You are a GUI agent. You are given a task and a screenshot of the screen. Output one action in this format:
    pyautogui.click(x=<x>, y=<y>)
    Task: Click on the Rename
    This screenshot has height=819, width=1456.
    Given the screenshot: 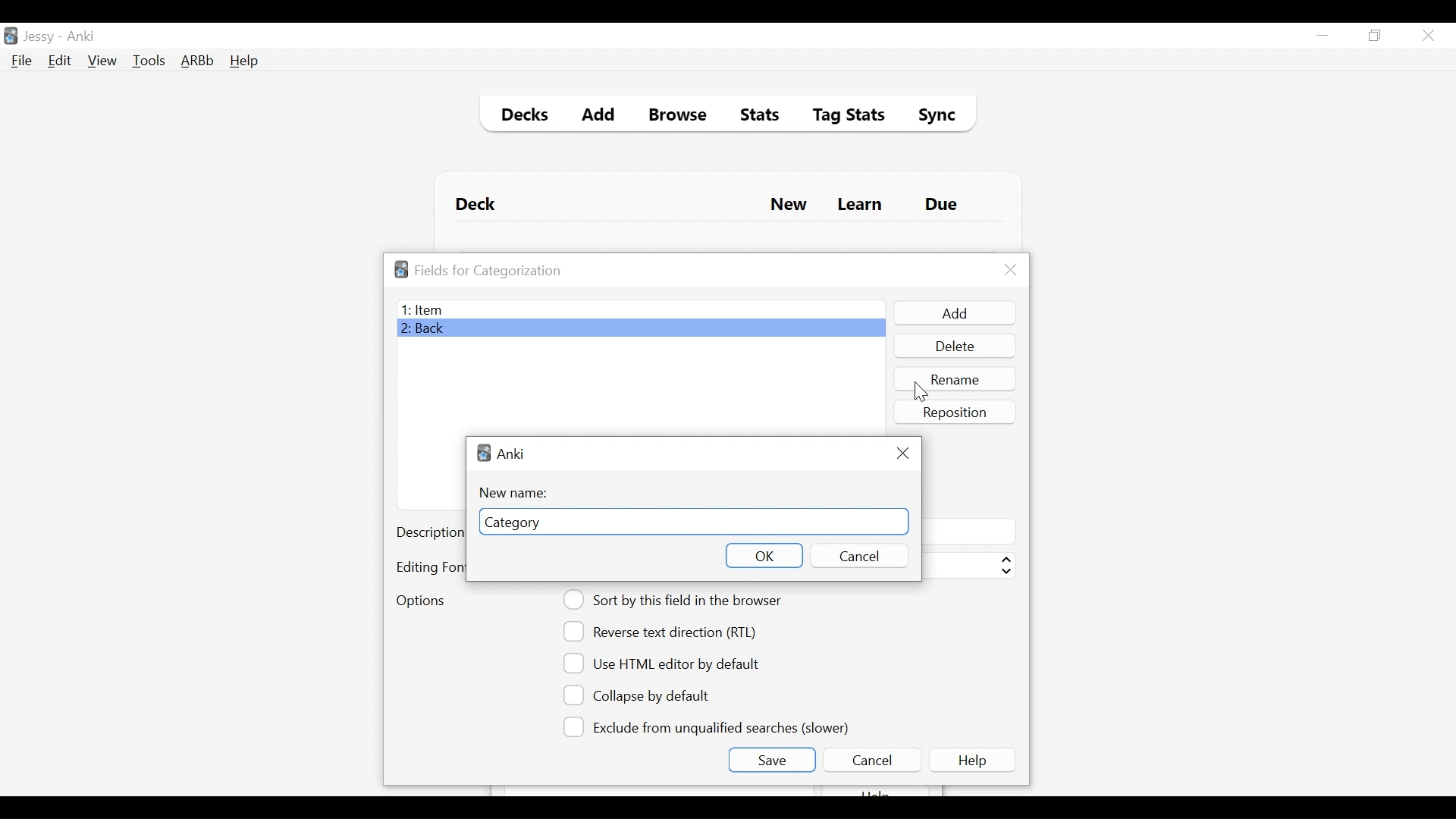 What is the action you would take?
    pyautogui.click(x=956, y=378)
    